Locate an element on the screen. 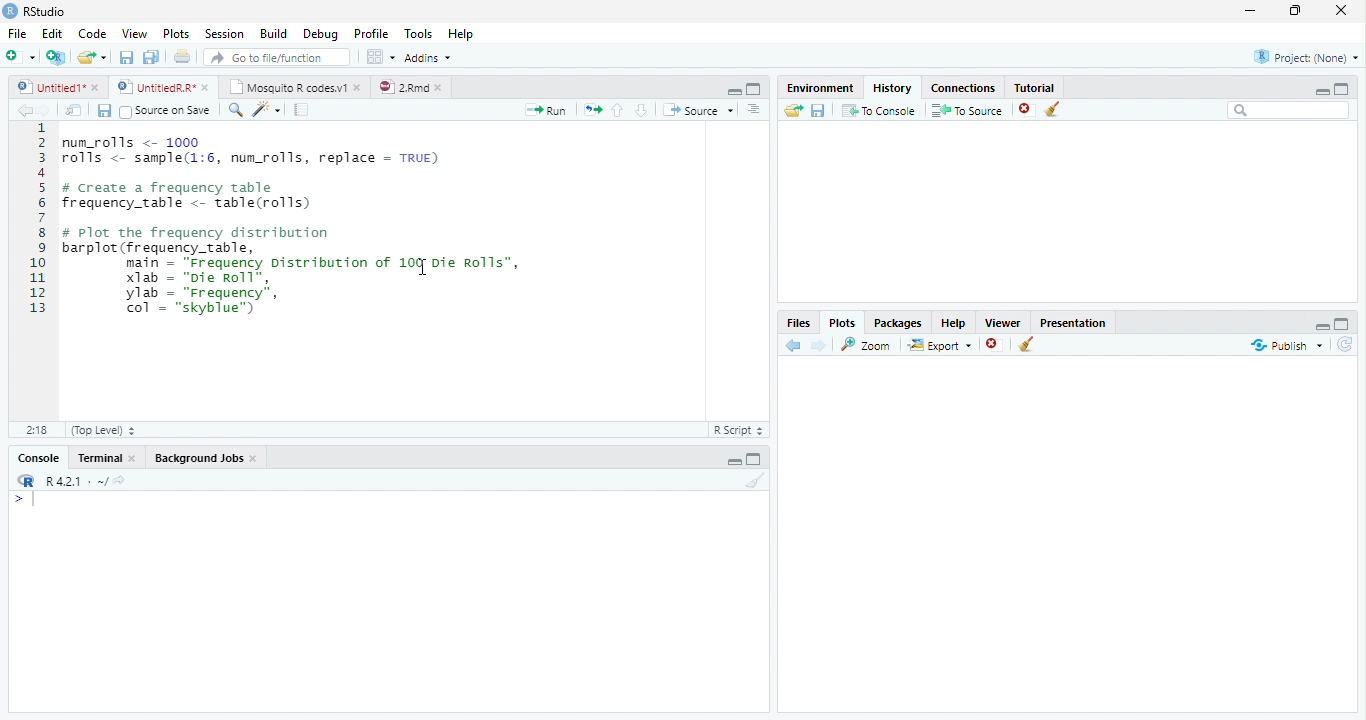 This screenshot has width=1366, height=720. Help is located at coordinates (463, 33).